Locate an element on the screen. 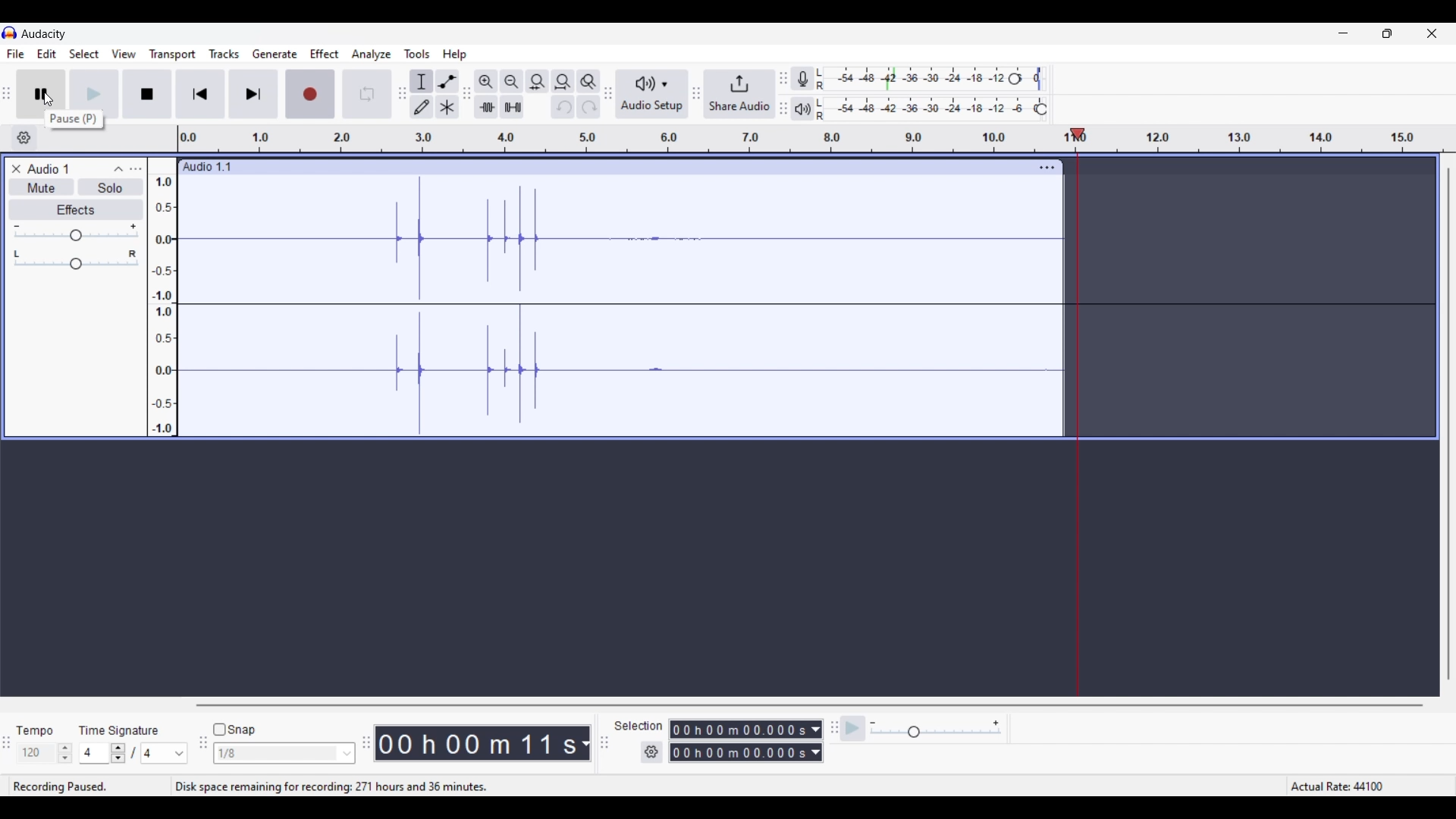 The height and width of the screenshot is (819, 1456). 4 is located at coordinates (165, 753).